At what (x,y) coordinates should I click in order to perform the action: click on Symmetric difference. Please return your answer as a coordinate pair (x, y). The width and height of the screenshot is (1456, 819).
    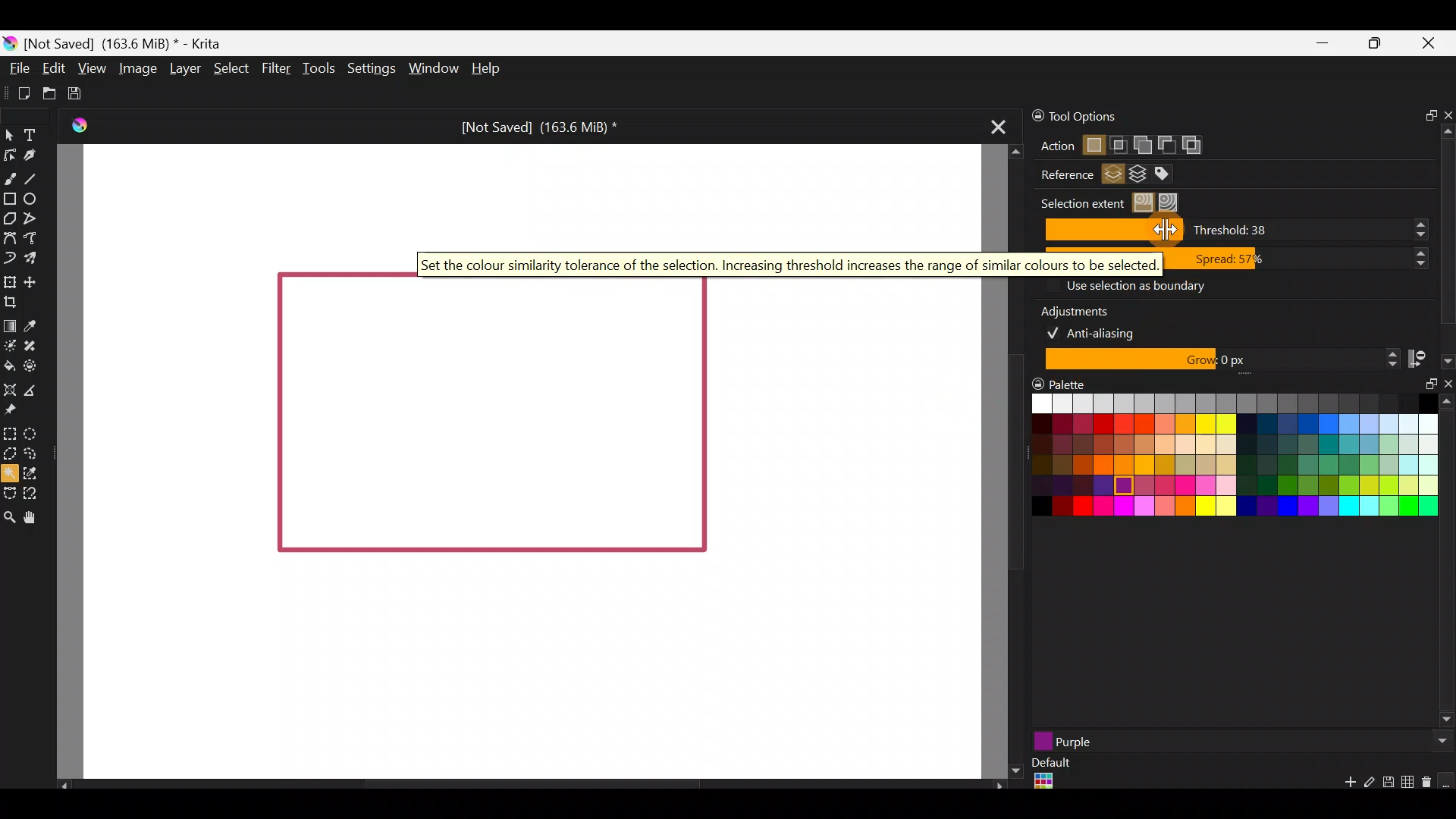
    Looking at the image, I should click on (1197, 145).